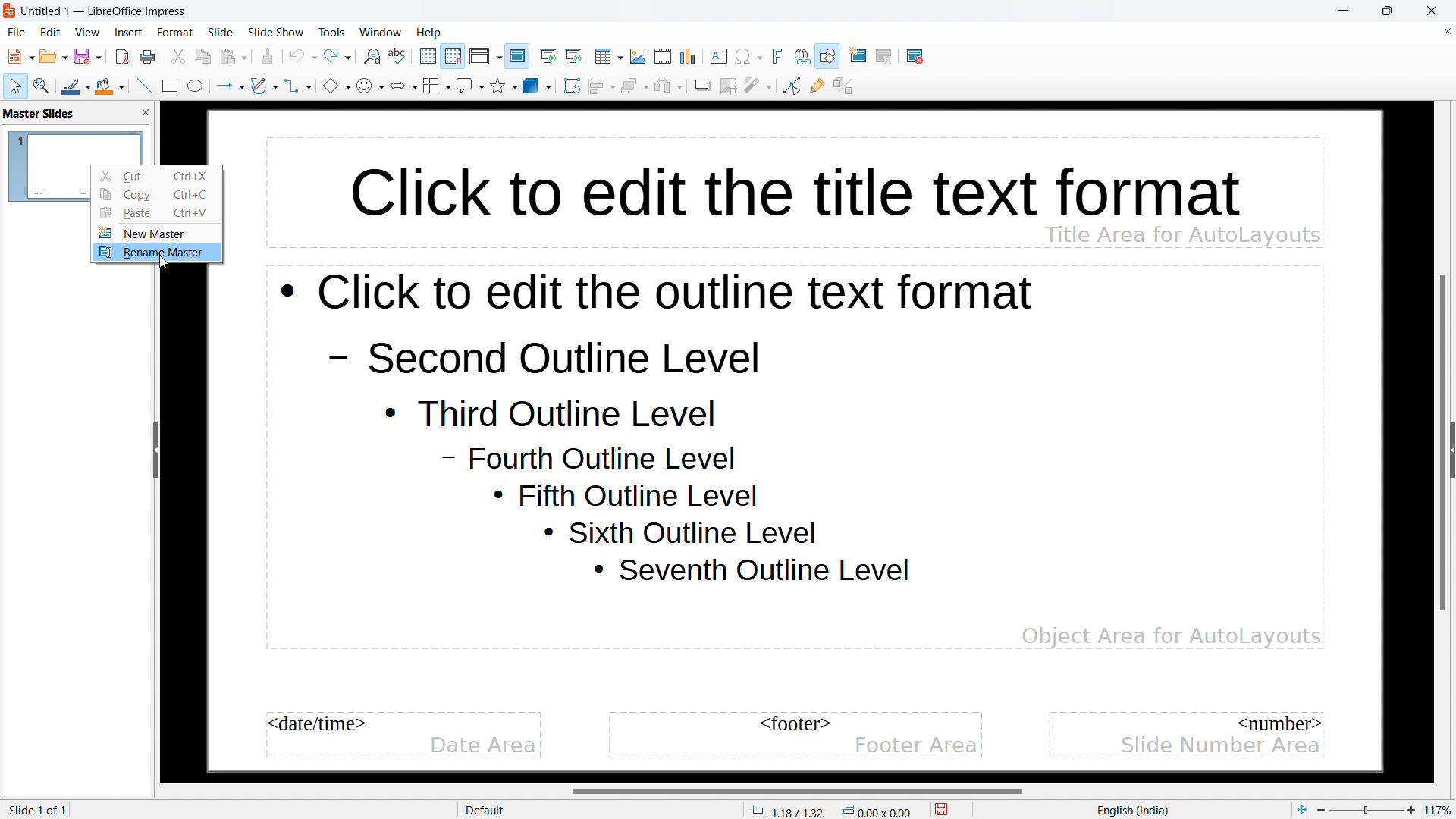  Describe the element at coordinates (268, 57) in the screenshot. I see `clone formatting` at that location.